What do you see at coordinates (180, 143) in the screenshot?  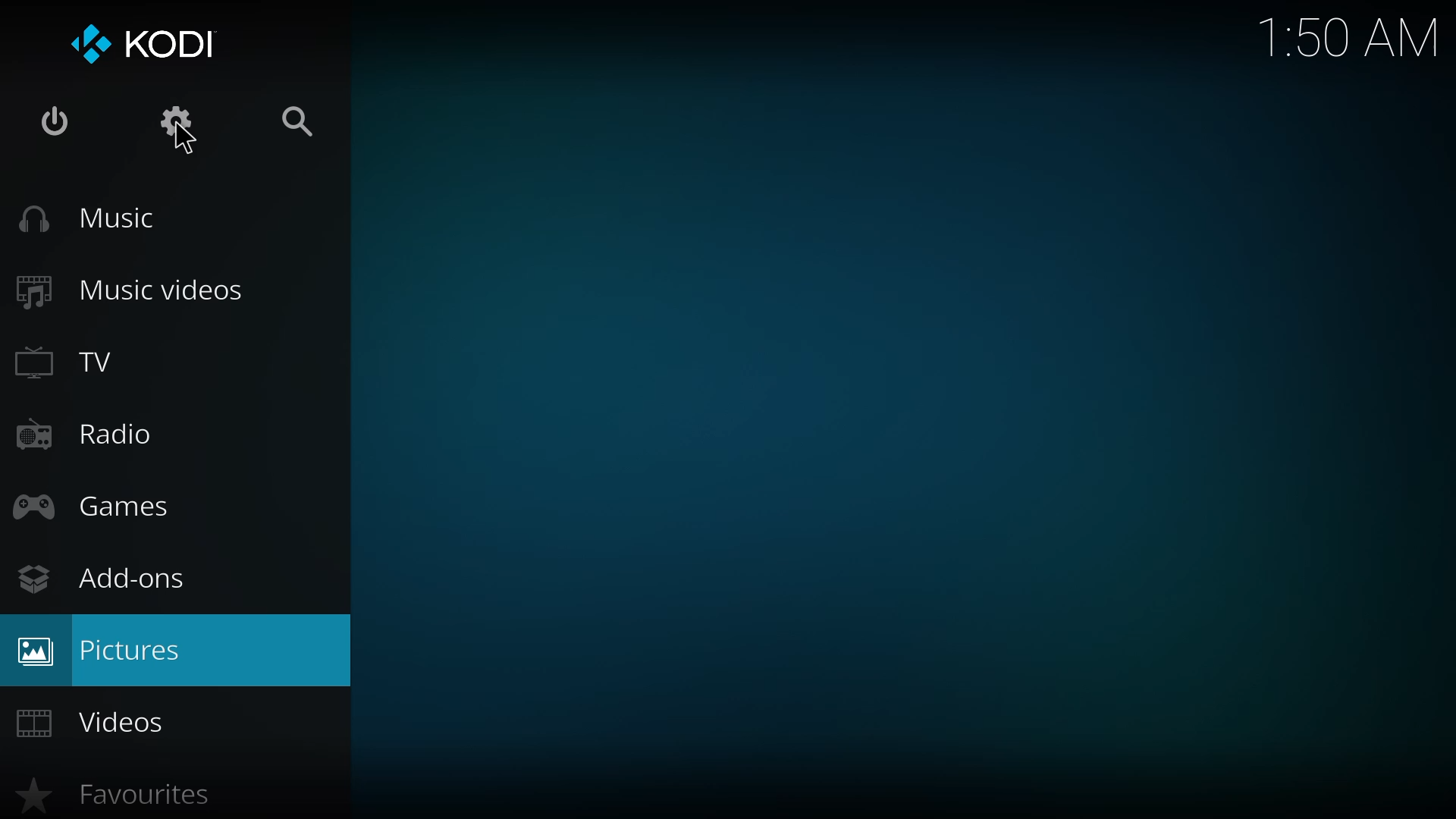 I see `cursor` at bounding box center [180, 143].